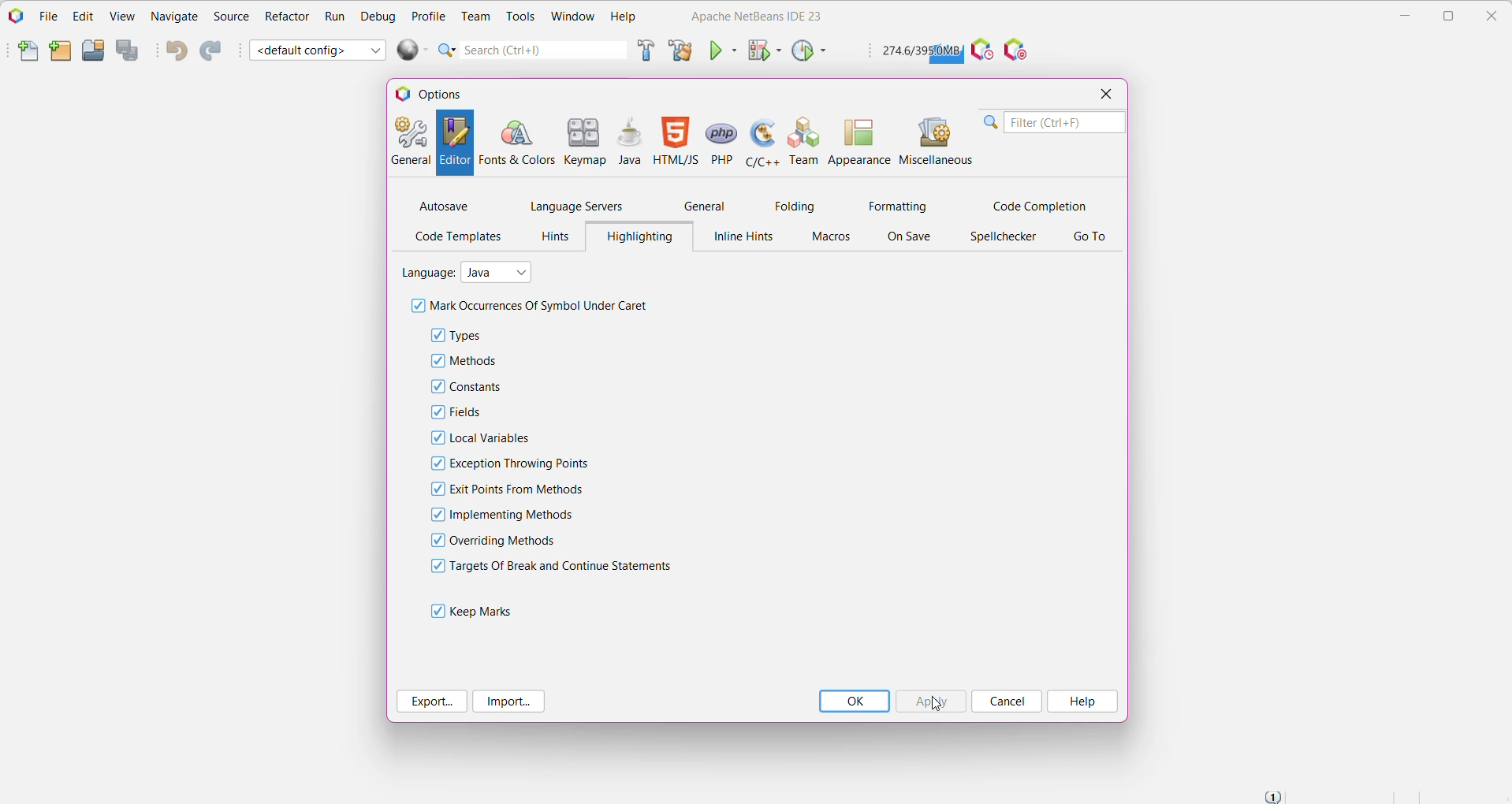  I want to click on OK, so click(856, 702).